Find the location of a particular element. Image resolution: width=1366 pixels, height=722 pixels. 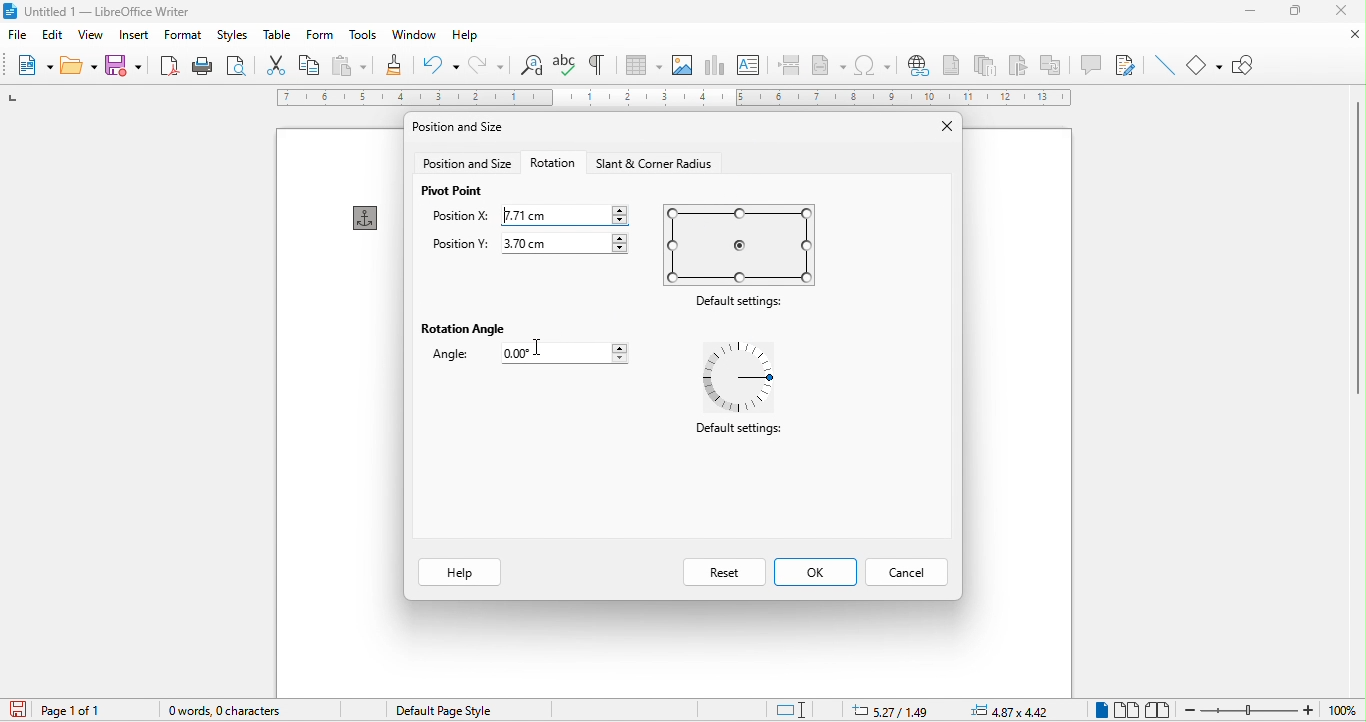

help is located at coordinates (463, 36).